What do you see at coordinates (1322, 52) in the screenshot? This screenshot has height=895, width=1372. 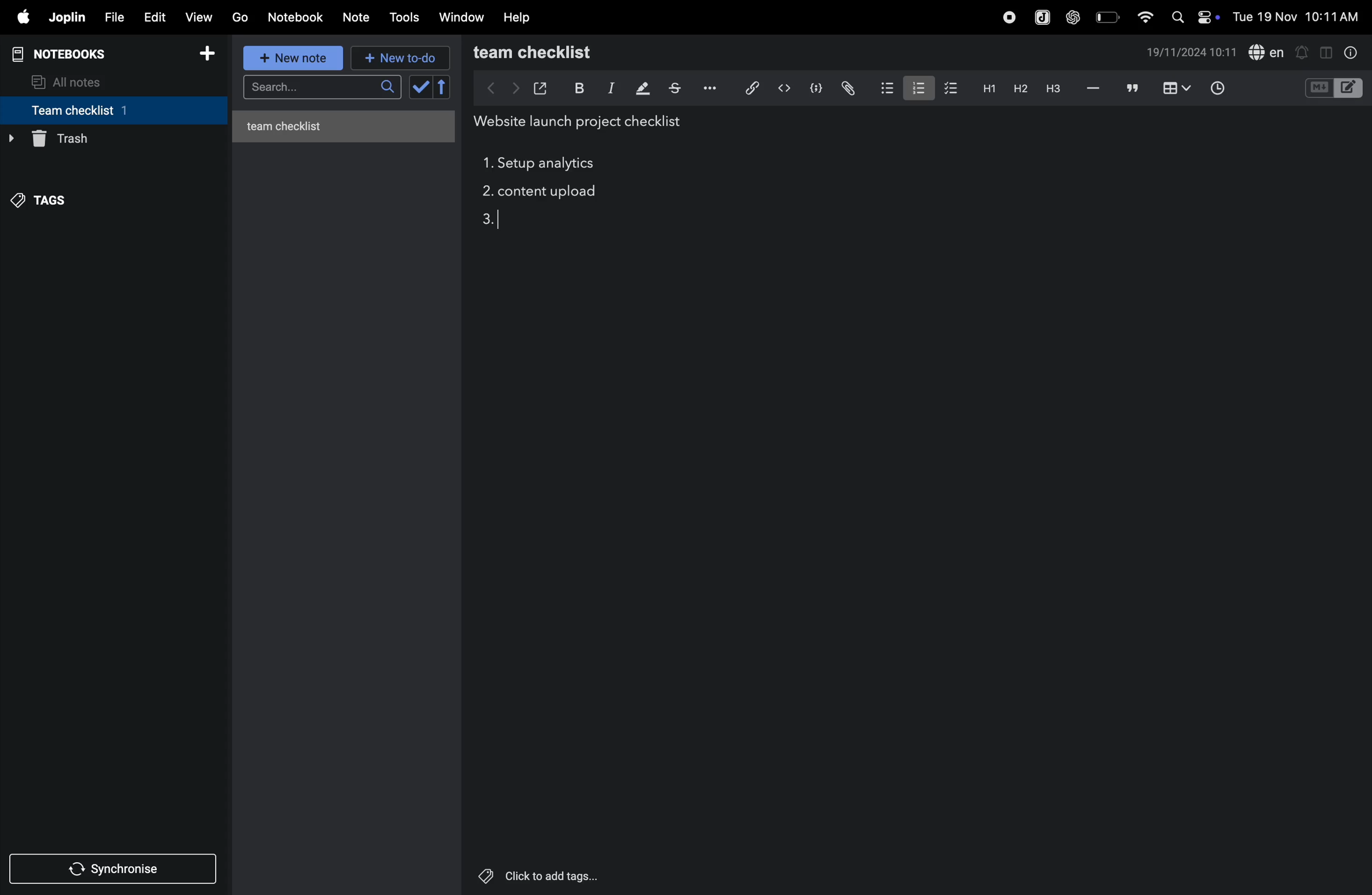 I see `toggle editor` at bounding box center [1322, 52].